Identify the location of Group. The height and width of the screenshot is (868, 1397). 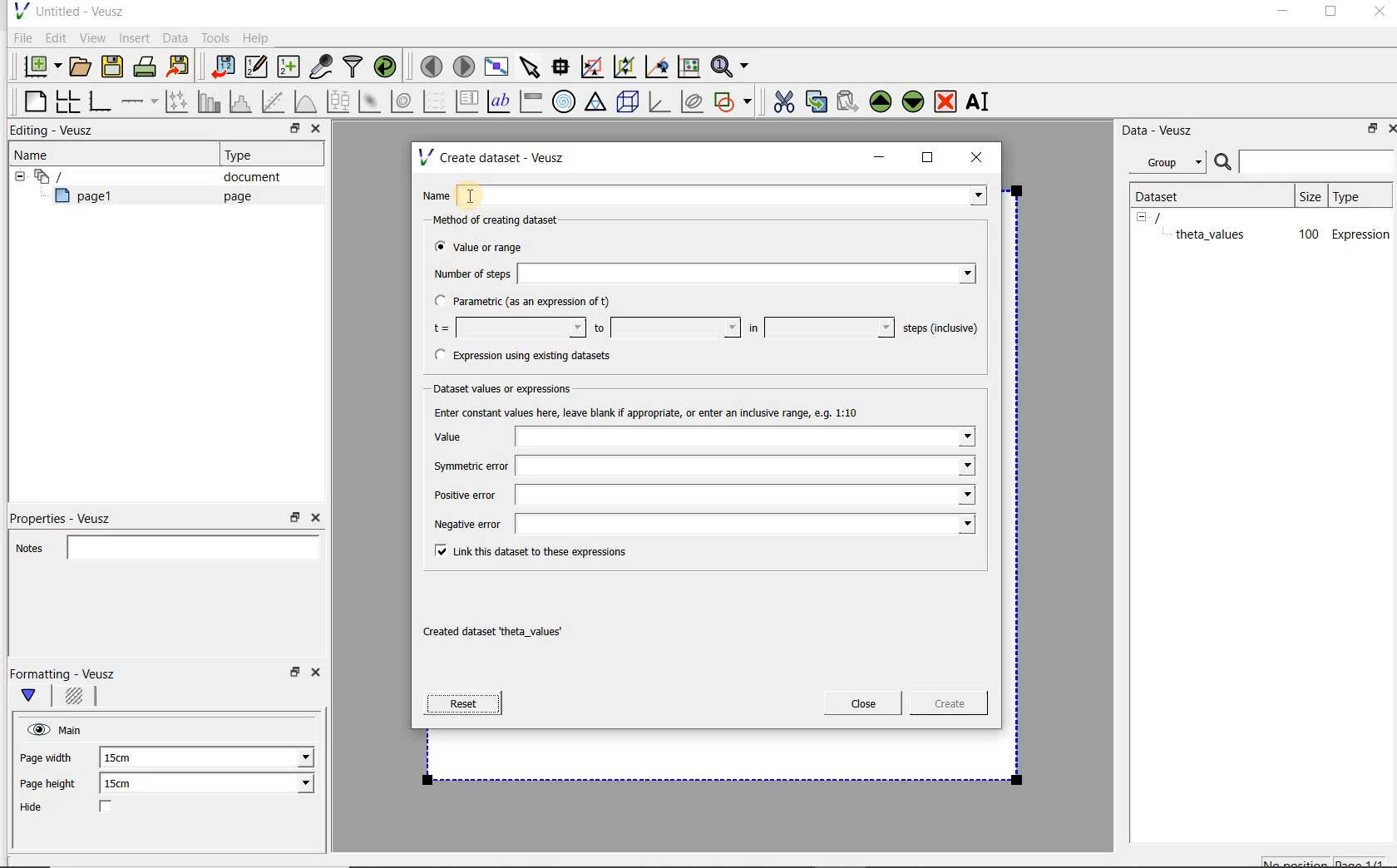
(1172, 165).